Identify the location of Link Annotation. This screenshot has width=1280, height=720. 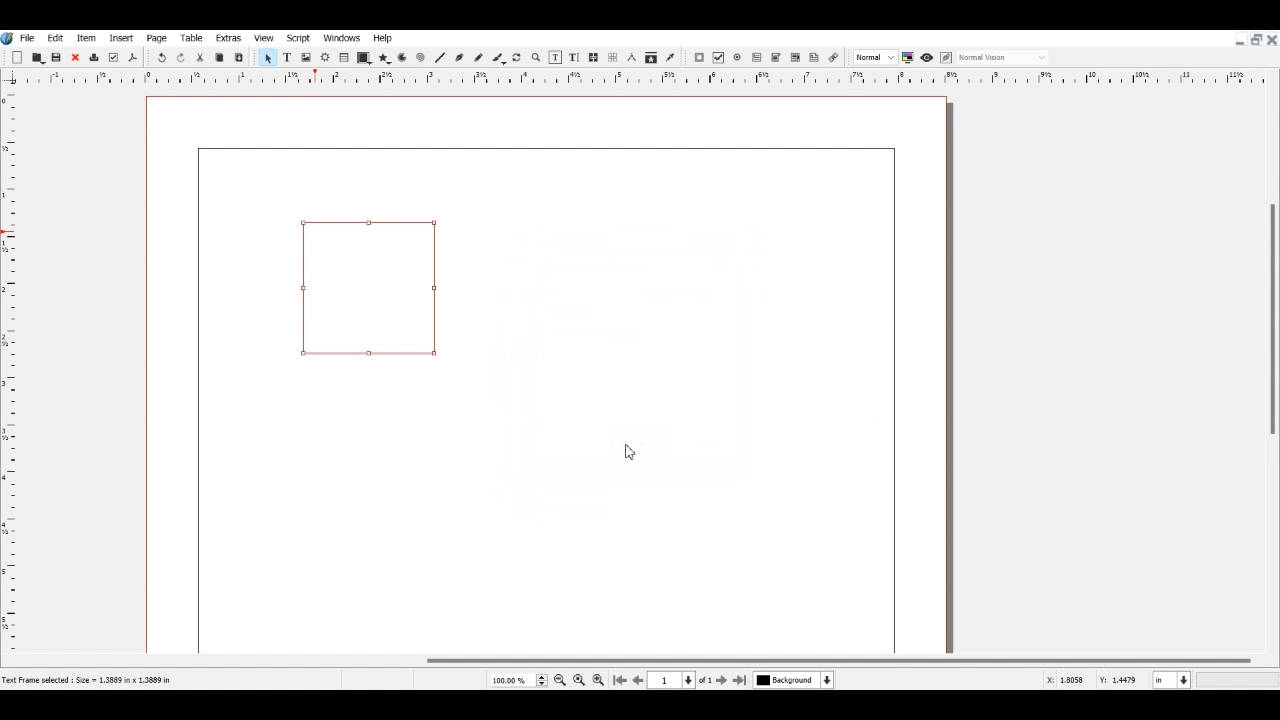
(833, 56).